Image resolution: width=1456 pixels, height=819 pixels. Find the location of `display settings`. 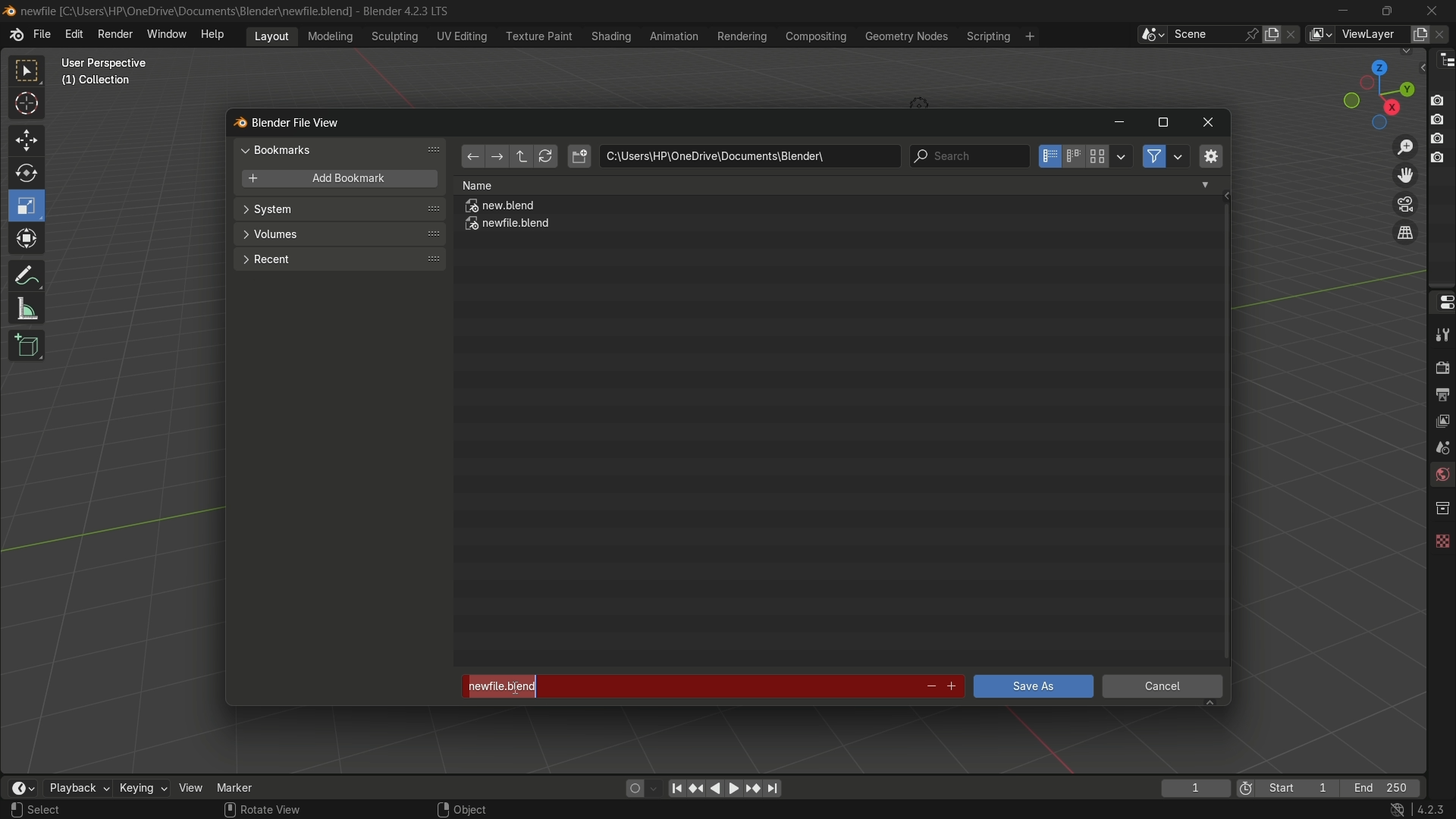

display settings is located at coordinates (1122, 155).